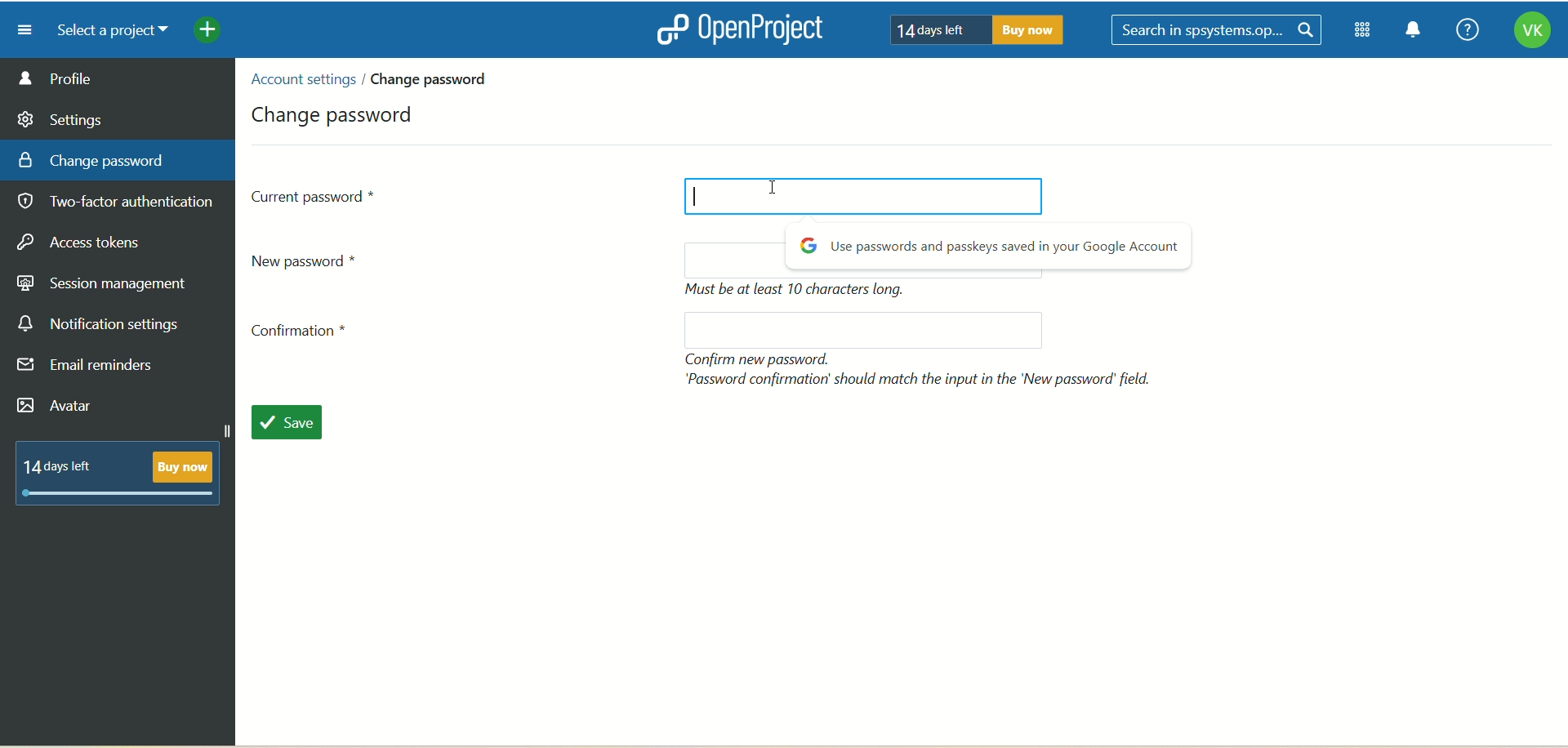 Image resolution: width=1568 pixels, height=748 pixels. Describe the element at coordinates (336, 112) in the screenshot. I see `change password` at that location.